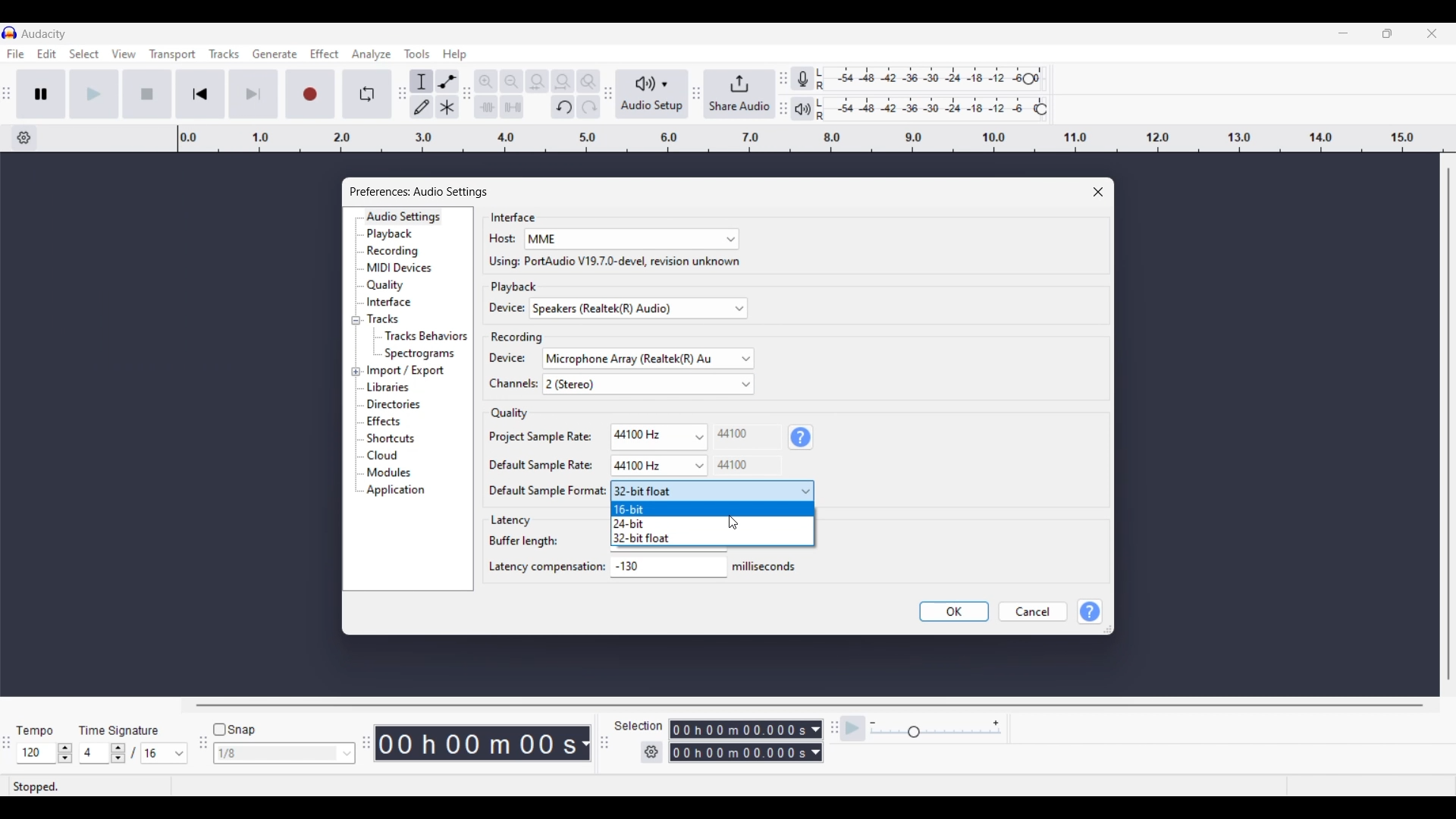 Image resolution: width=1456 pixels, height=819 pixels. I want to click on Selected tempo, so click(36, 753).